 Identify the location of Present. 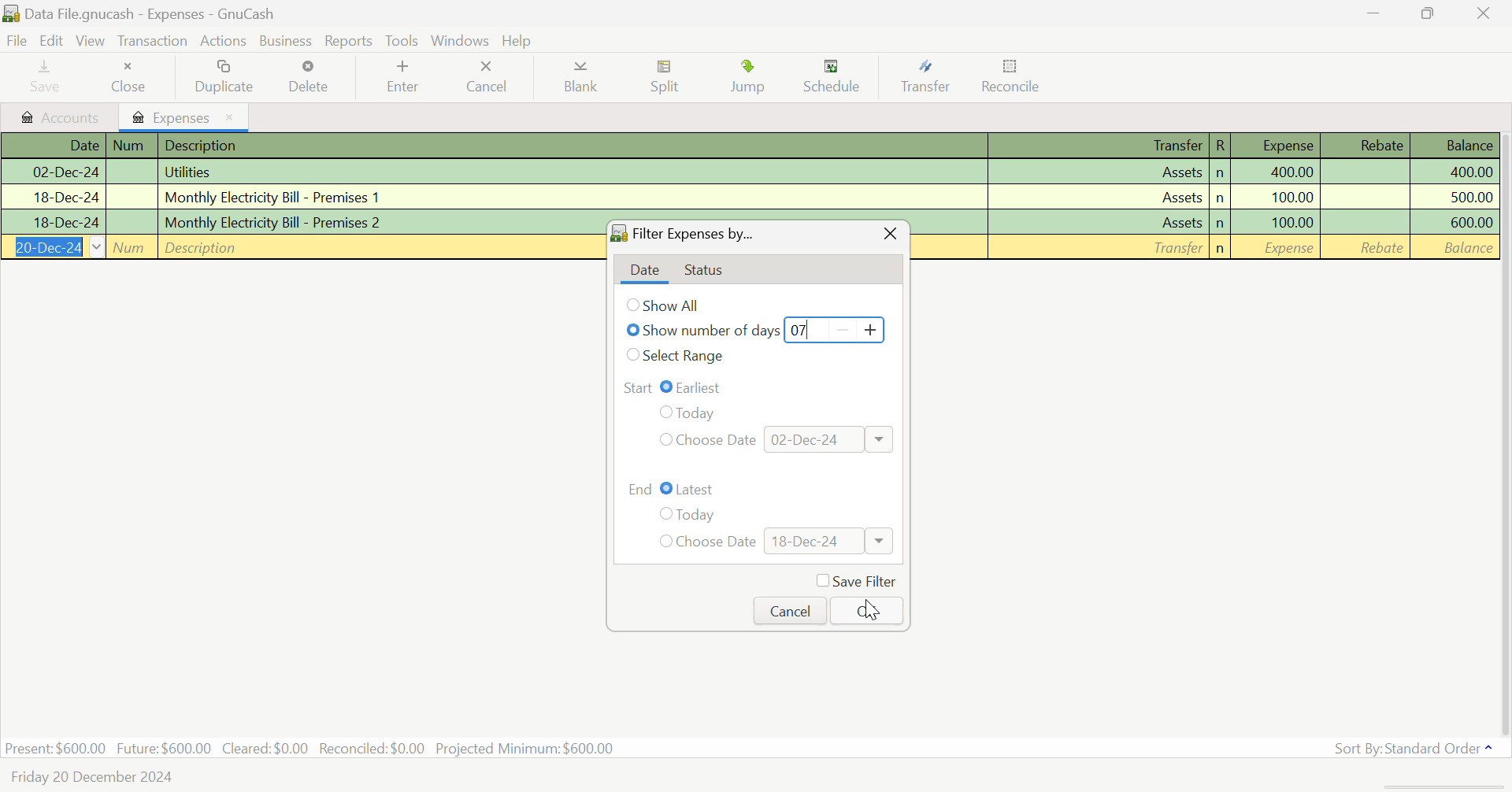
(56, 749).